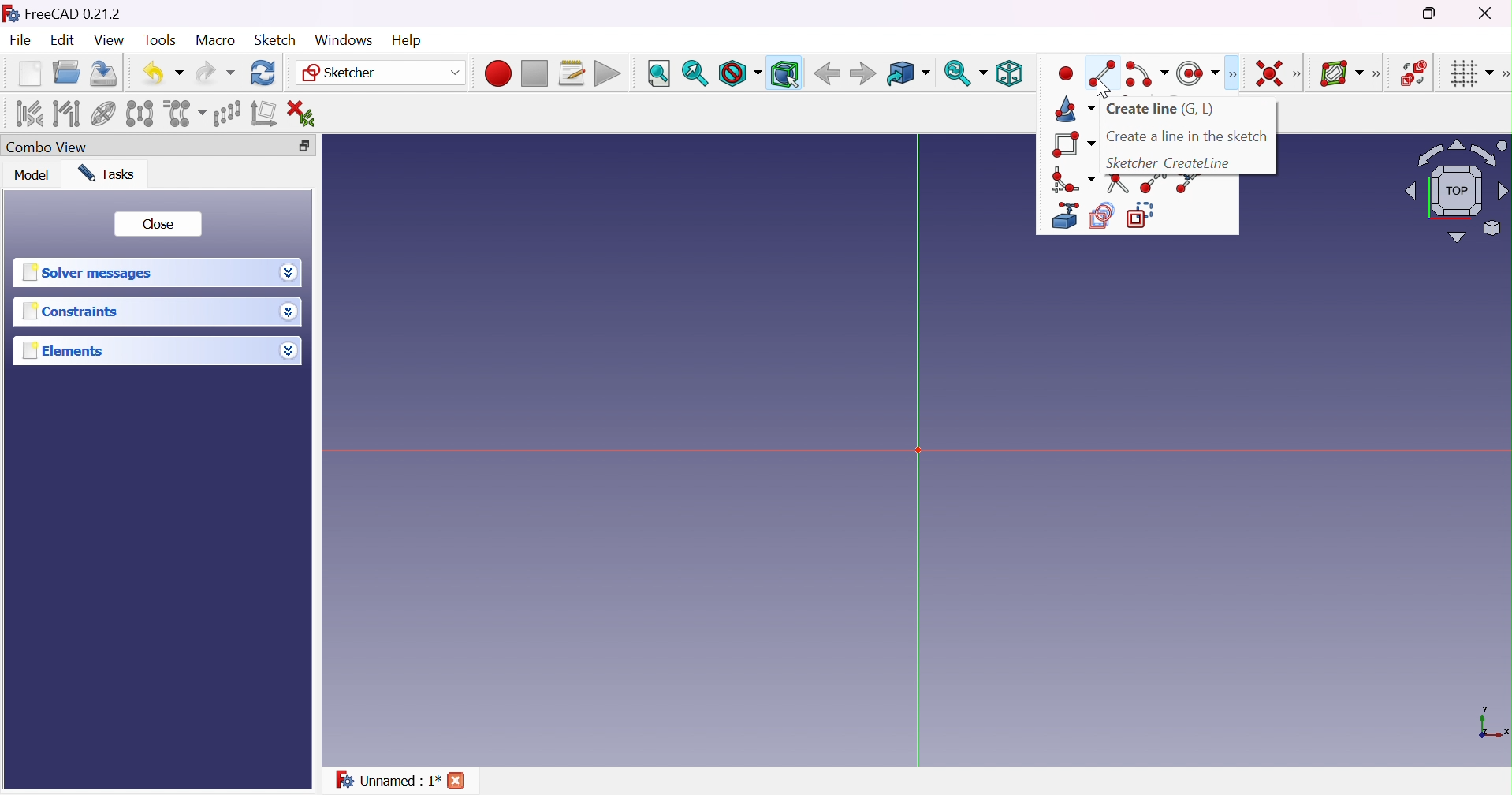 The width and height of the screenshot is (1512, 795). Describe the element at coordinates (1145, 74) in the screenshot. I see `create arc` at that location.